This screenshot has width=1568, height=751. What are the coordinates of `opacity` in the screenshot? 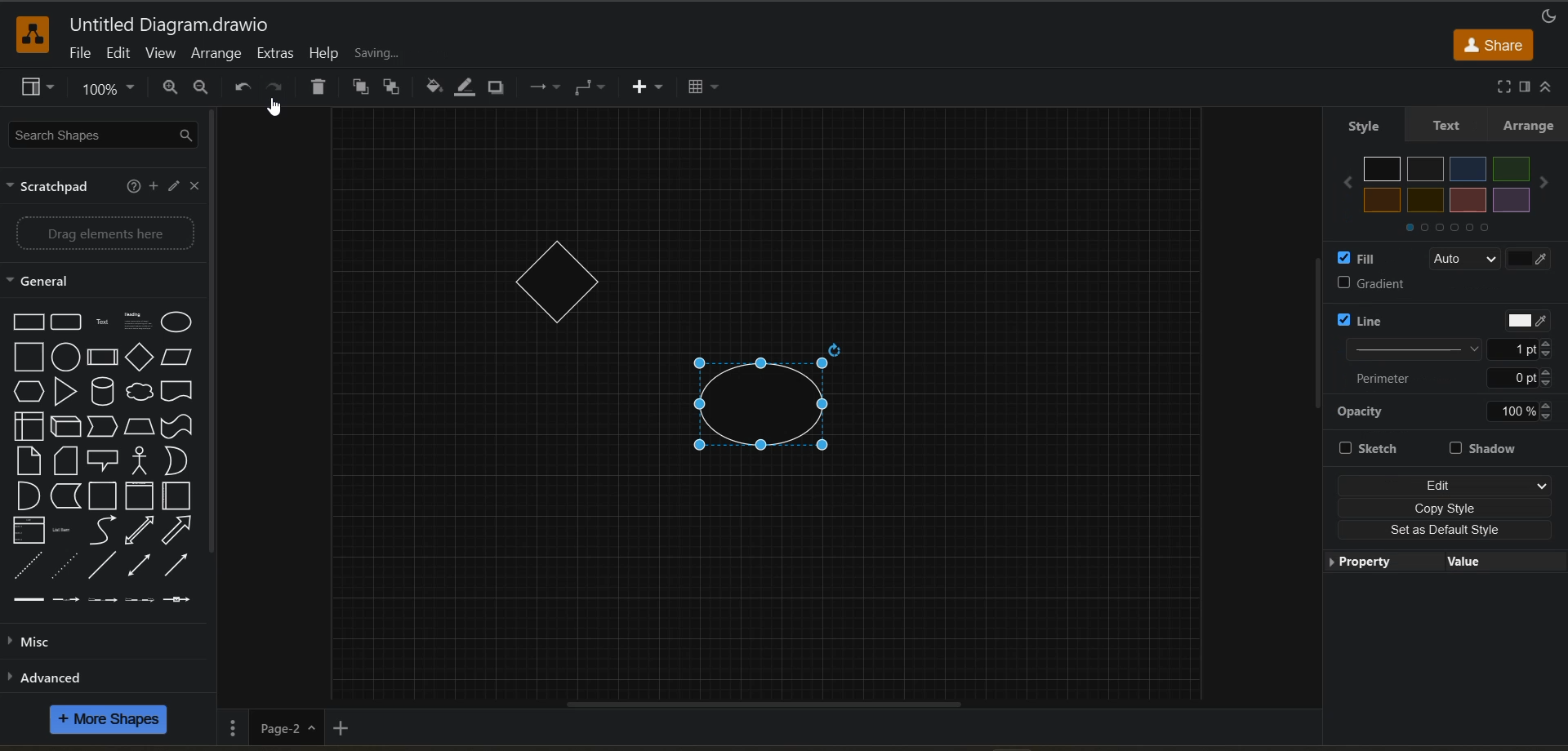 It's located at (1448, 411).